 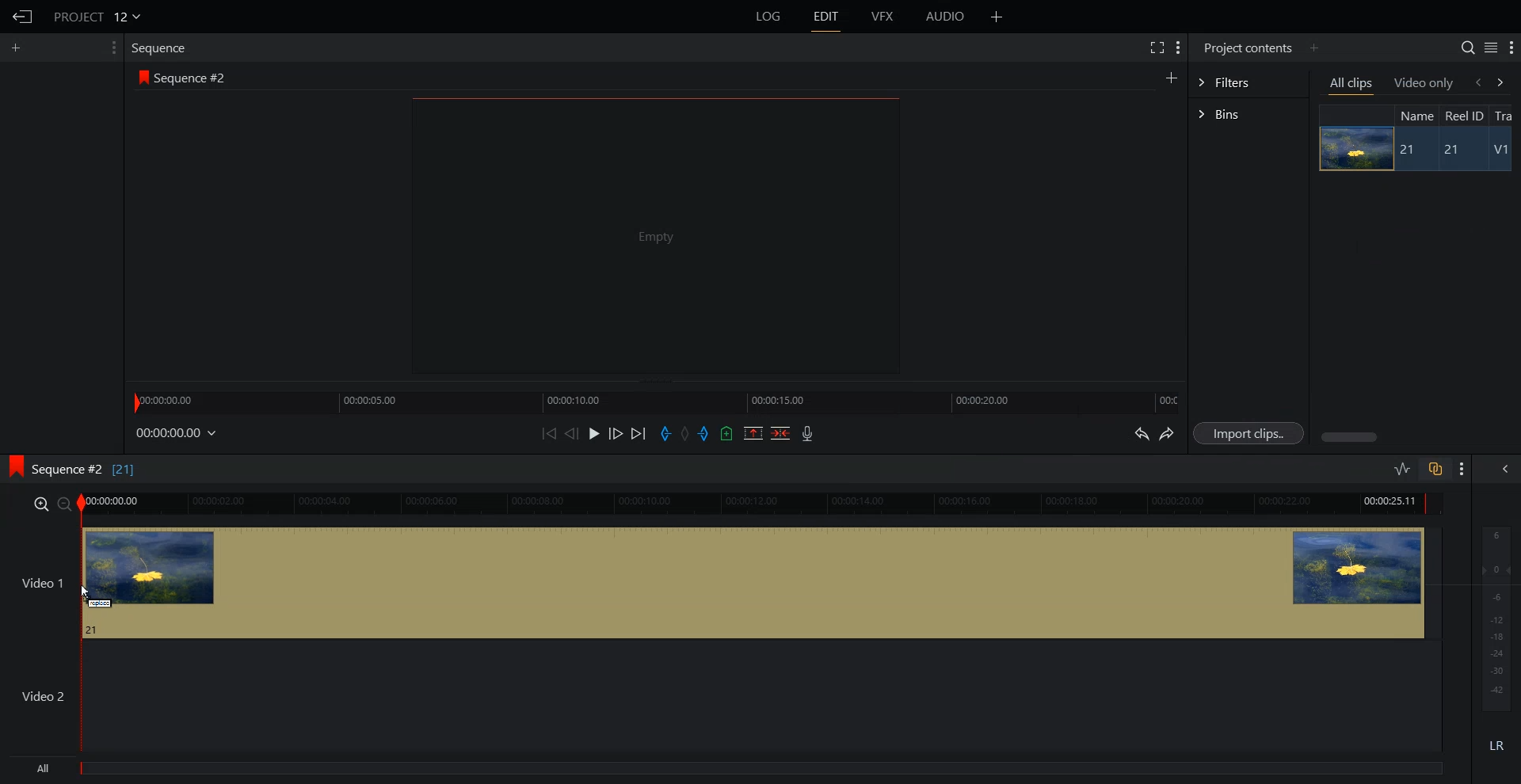 I want to click on Move Forward, so click(x=638, y=433).